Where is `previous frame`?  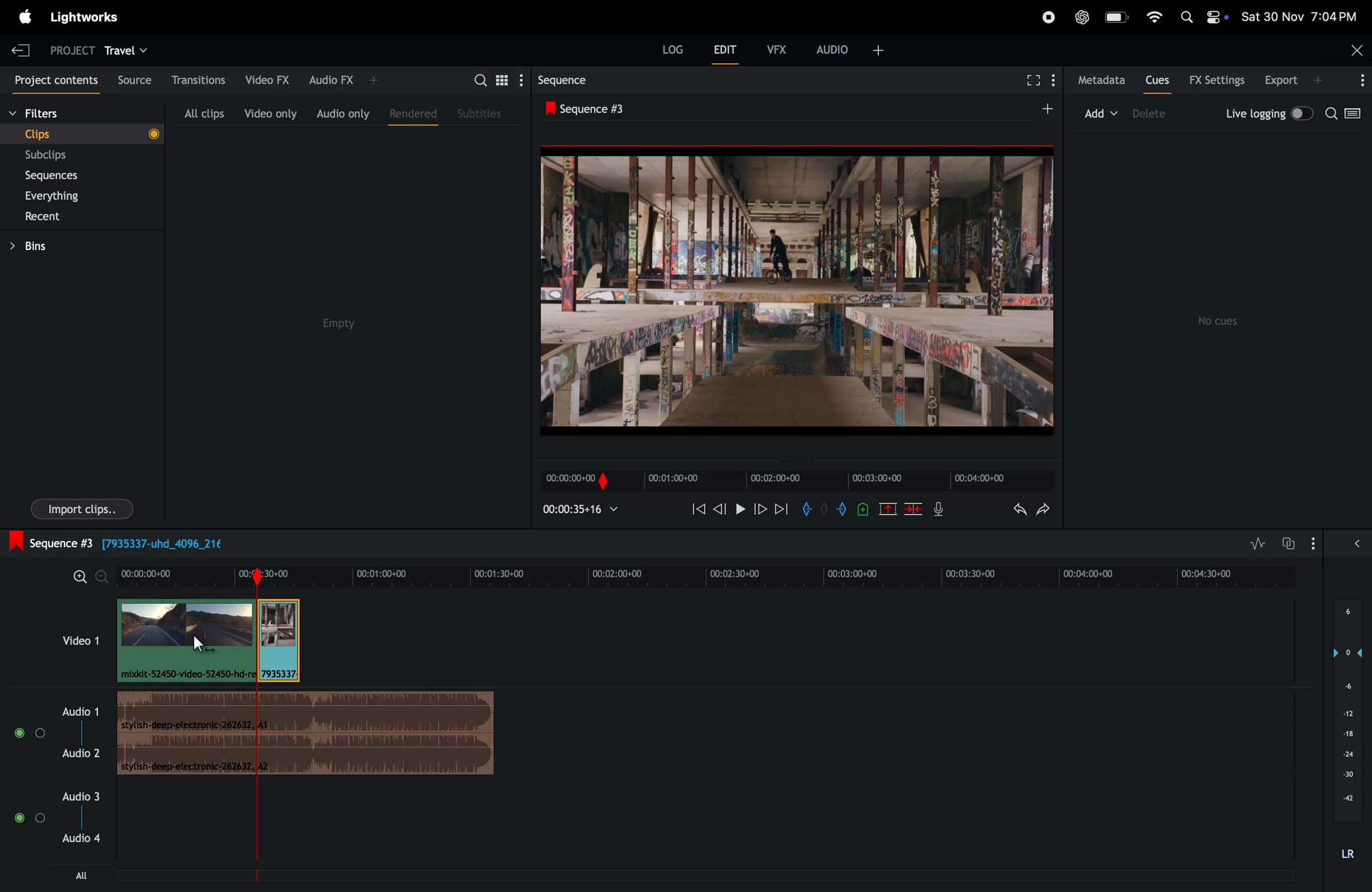
previous frame is located at coordinates (696, 509).